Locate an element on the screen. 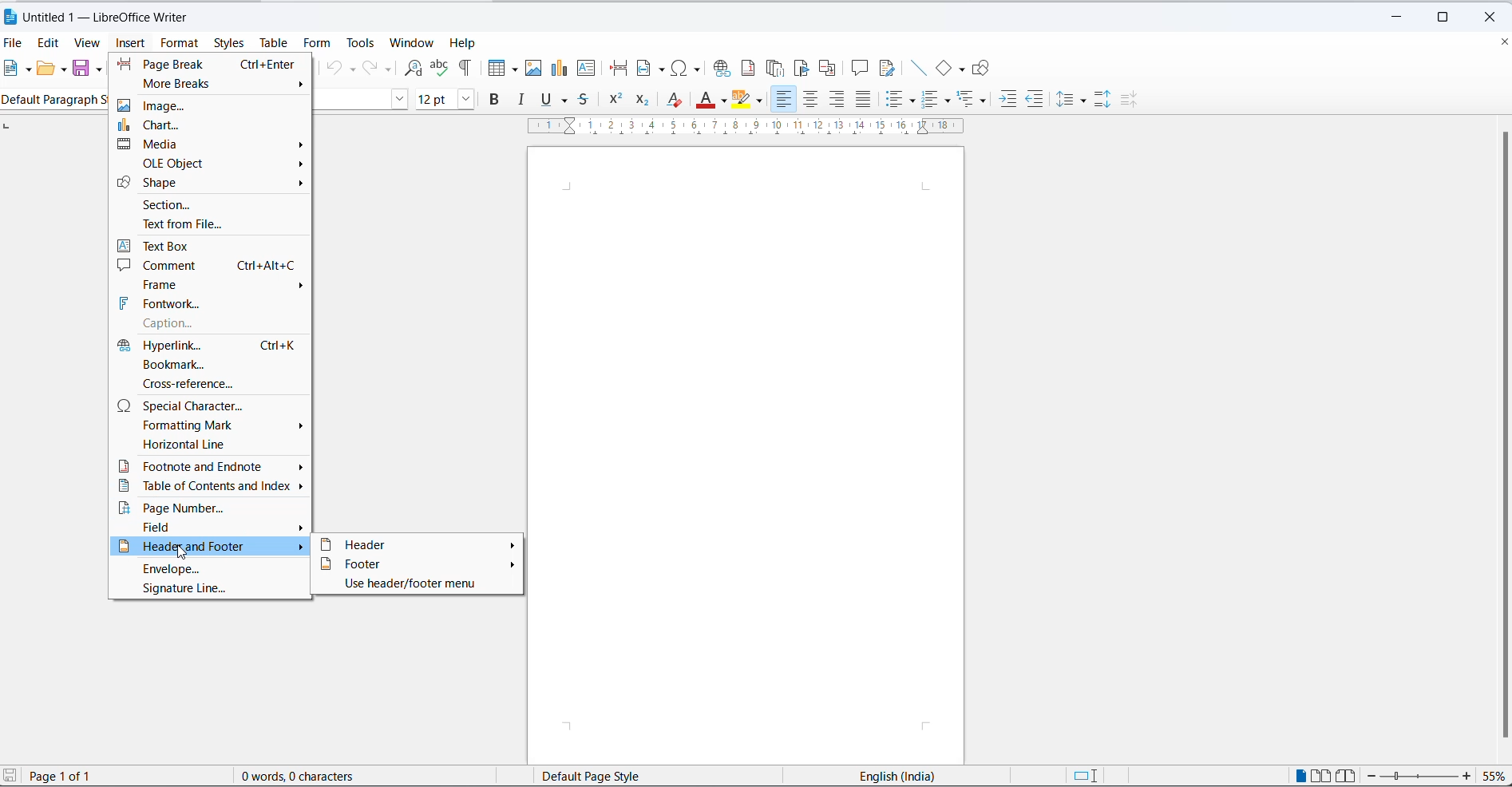 The image size is (1512, 787). insert endnote is located at coordinates (774, 69).